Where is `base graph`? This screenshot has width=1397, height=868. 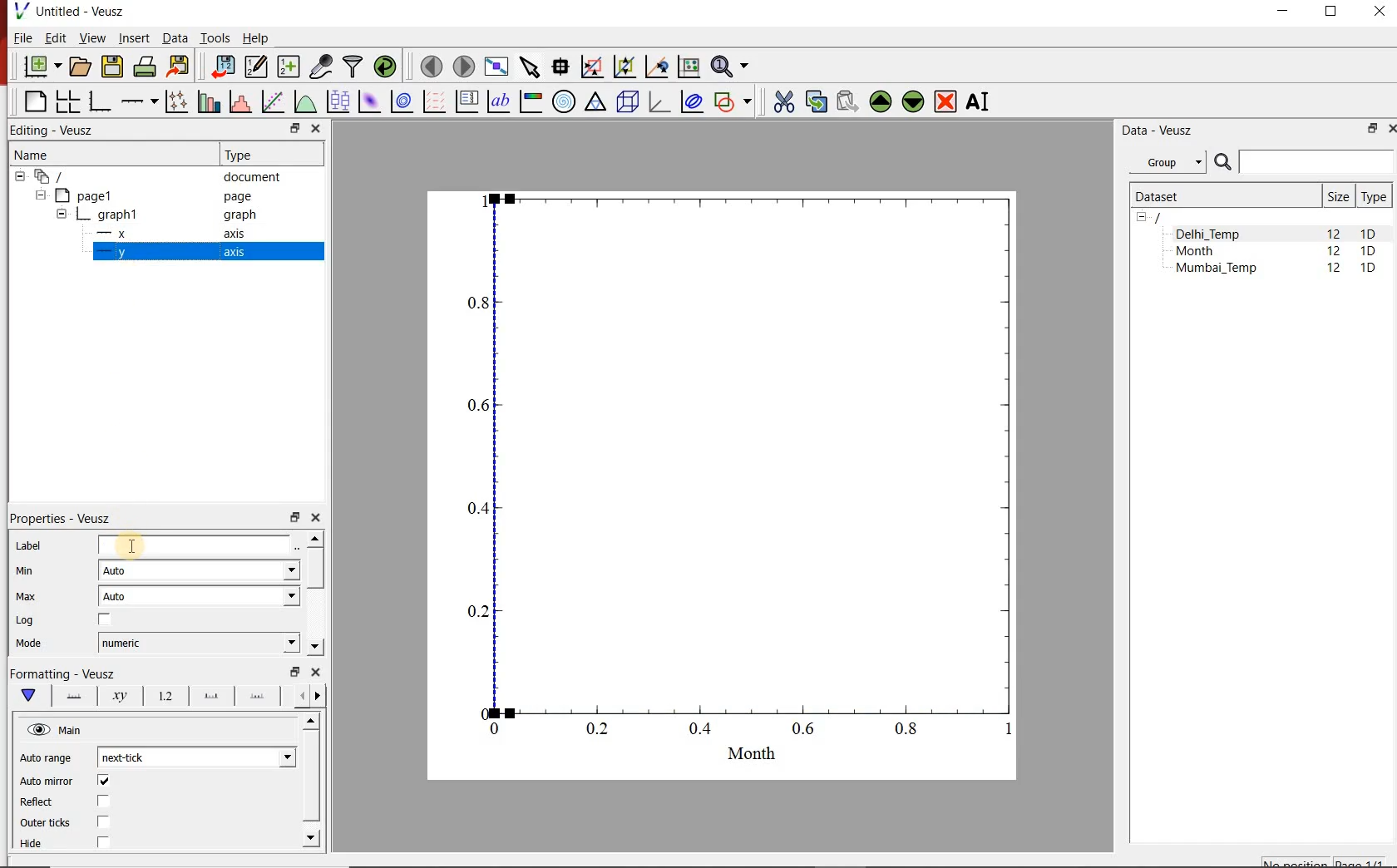
base graph is located at coordinates (98, 102).